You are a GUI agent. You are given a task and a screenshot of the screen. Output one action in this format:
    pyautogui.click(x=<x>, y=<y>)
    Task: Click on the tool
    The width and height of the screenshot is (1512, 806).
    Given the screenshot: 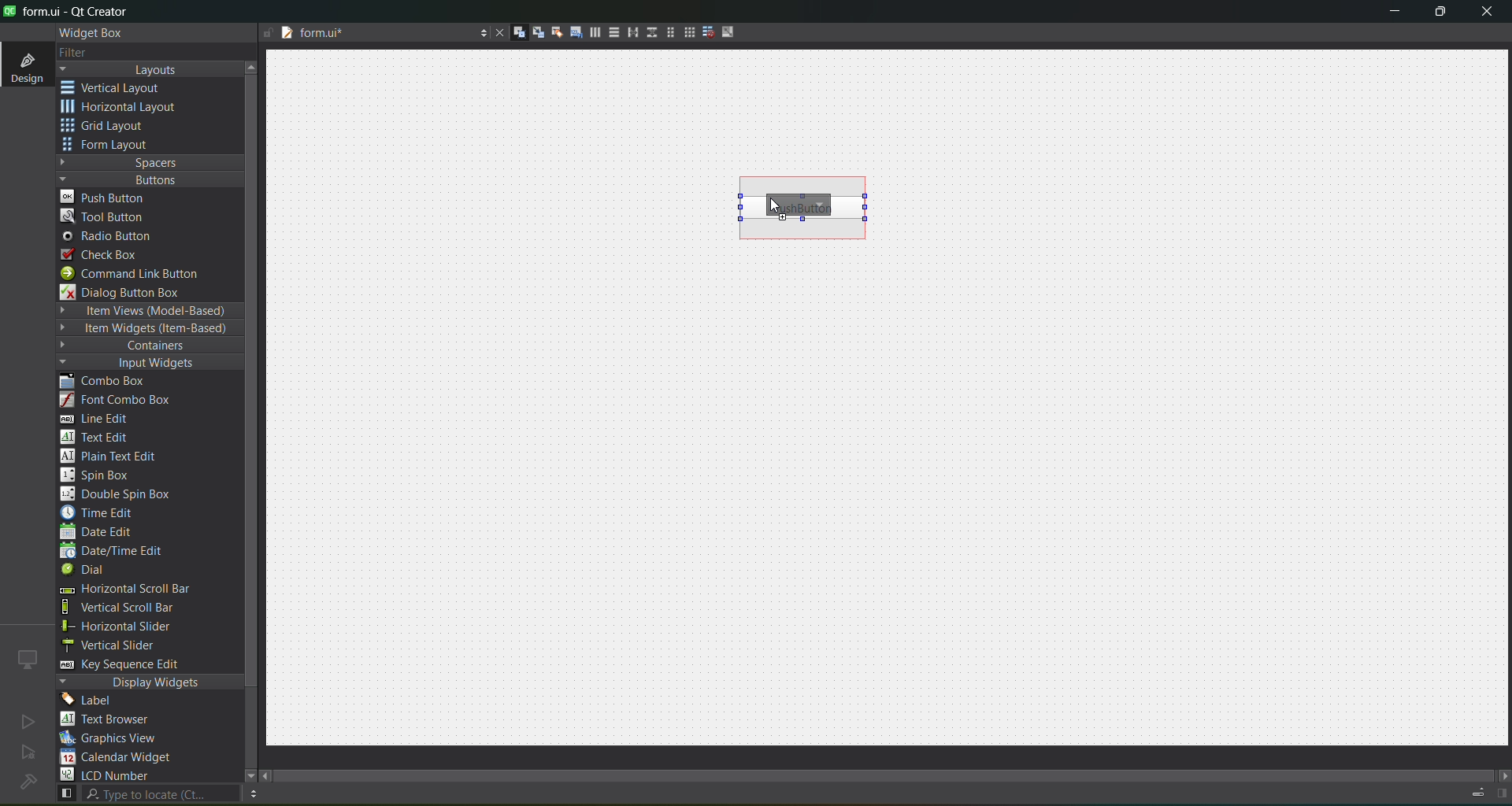 What is the action you would take?
    pyautogui.click(x=106, y=216)
    